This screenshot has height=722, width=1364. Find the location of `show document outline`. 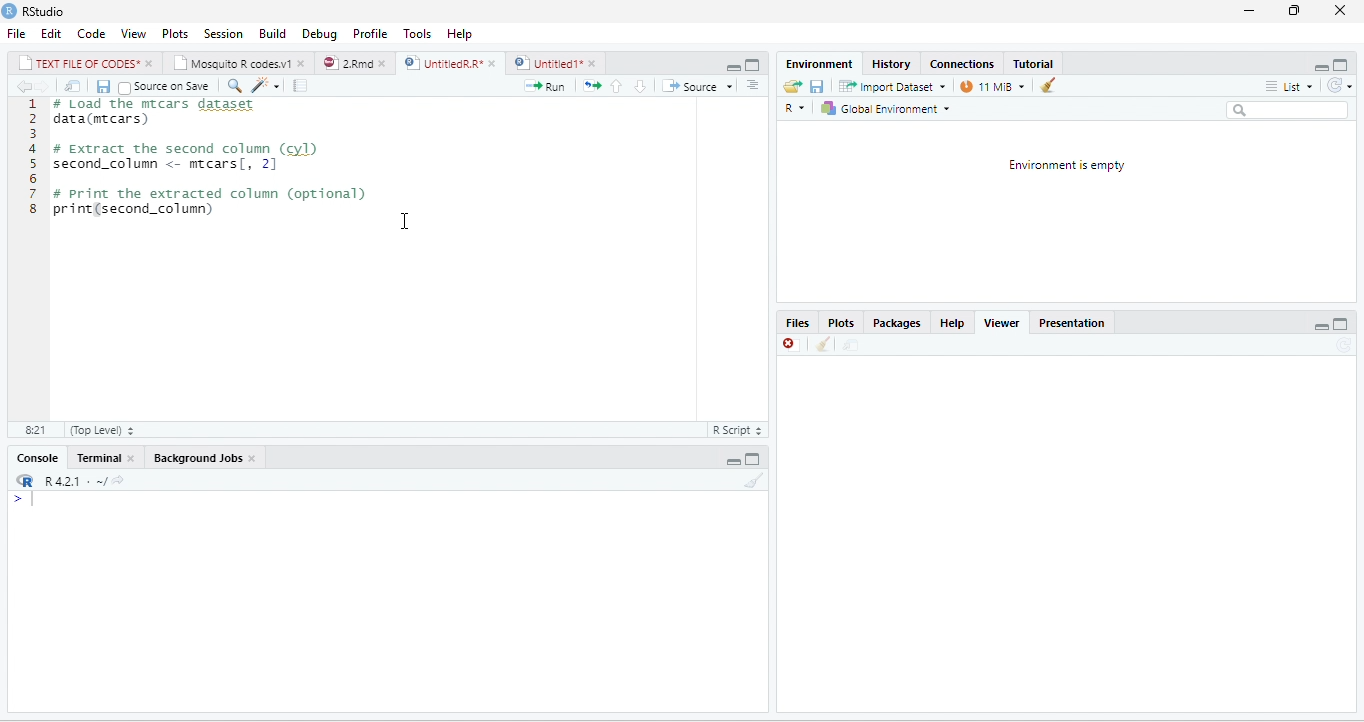

show document outline is located at coordinates (752, 85).